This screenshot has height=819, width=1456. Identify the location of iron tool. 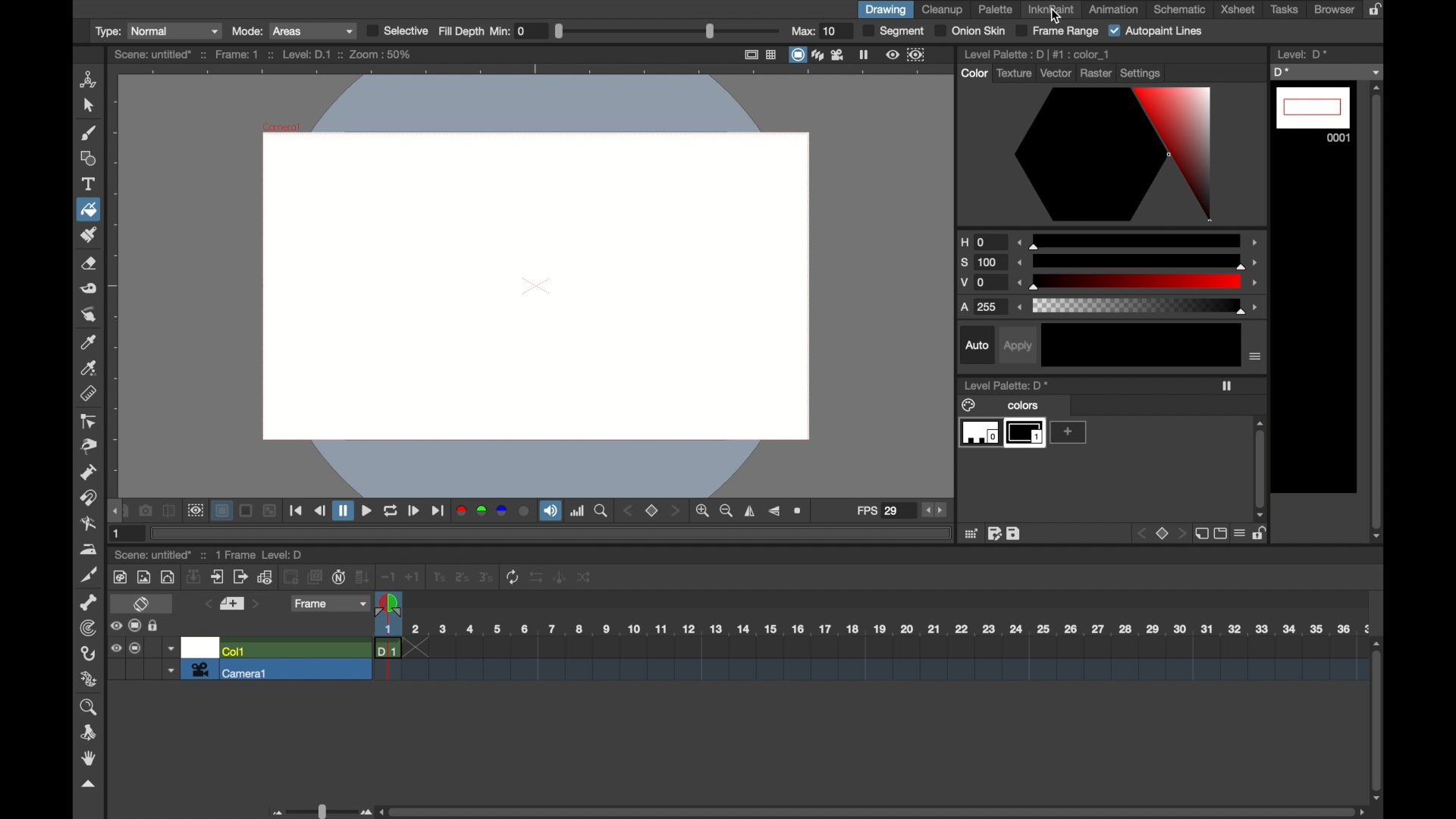
(90, 550).